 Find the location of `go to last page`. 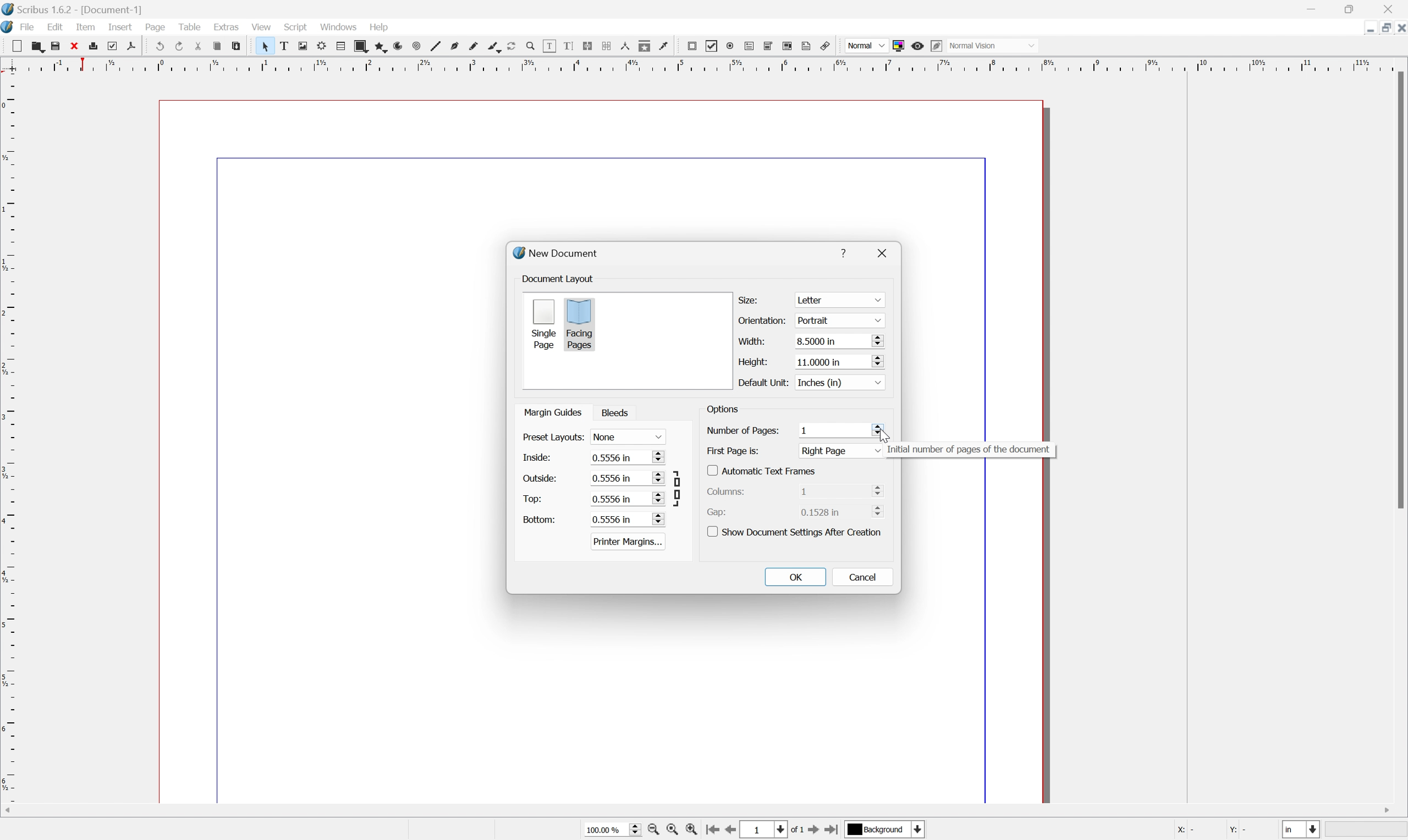

go to last page is located at coordinates (833, 830).